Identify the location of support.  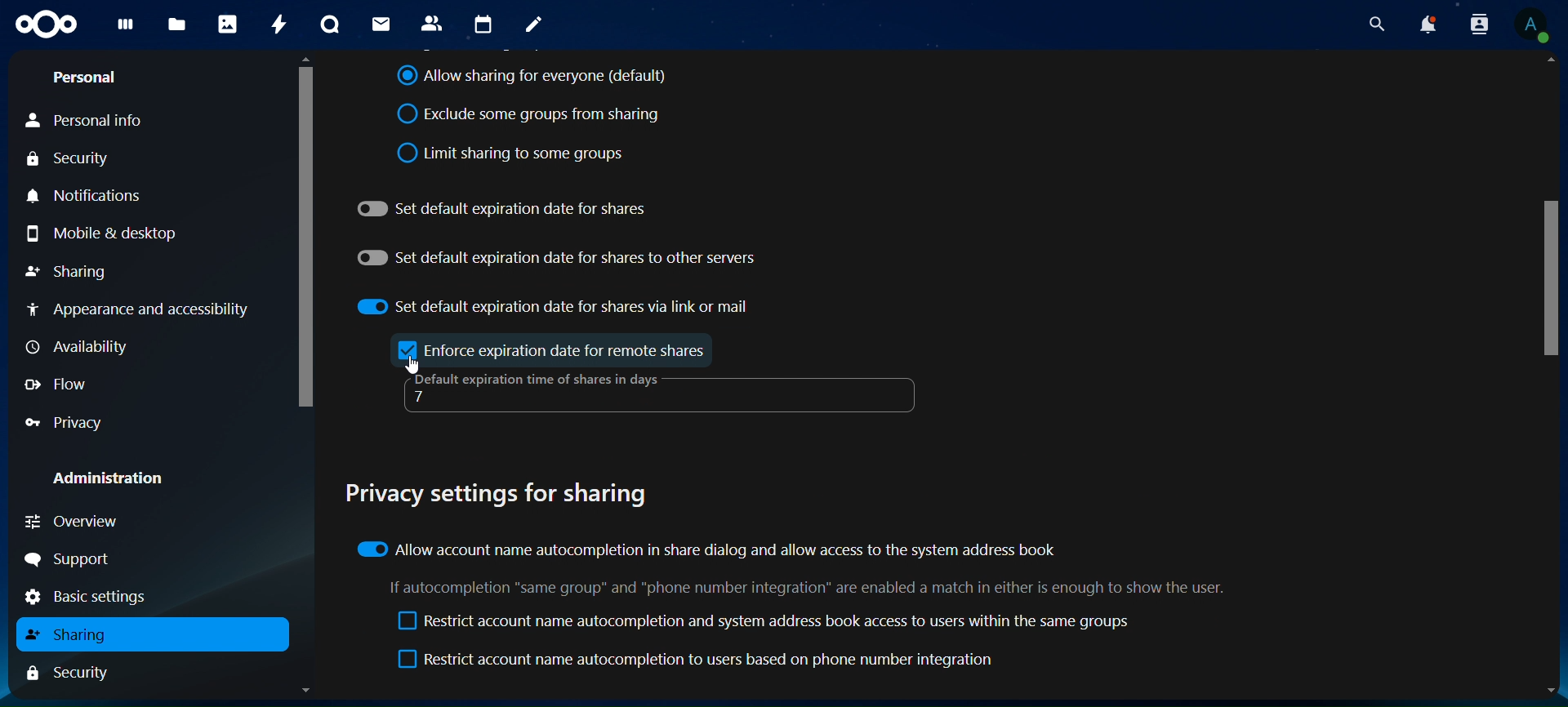
(72, 559).